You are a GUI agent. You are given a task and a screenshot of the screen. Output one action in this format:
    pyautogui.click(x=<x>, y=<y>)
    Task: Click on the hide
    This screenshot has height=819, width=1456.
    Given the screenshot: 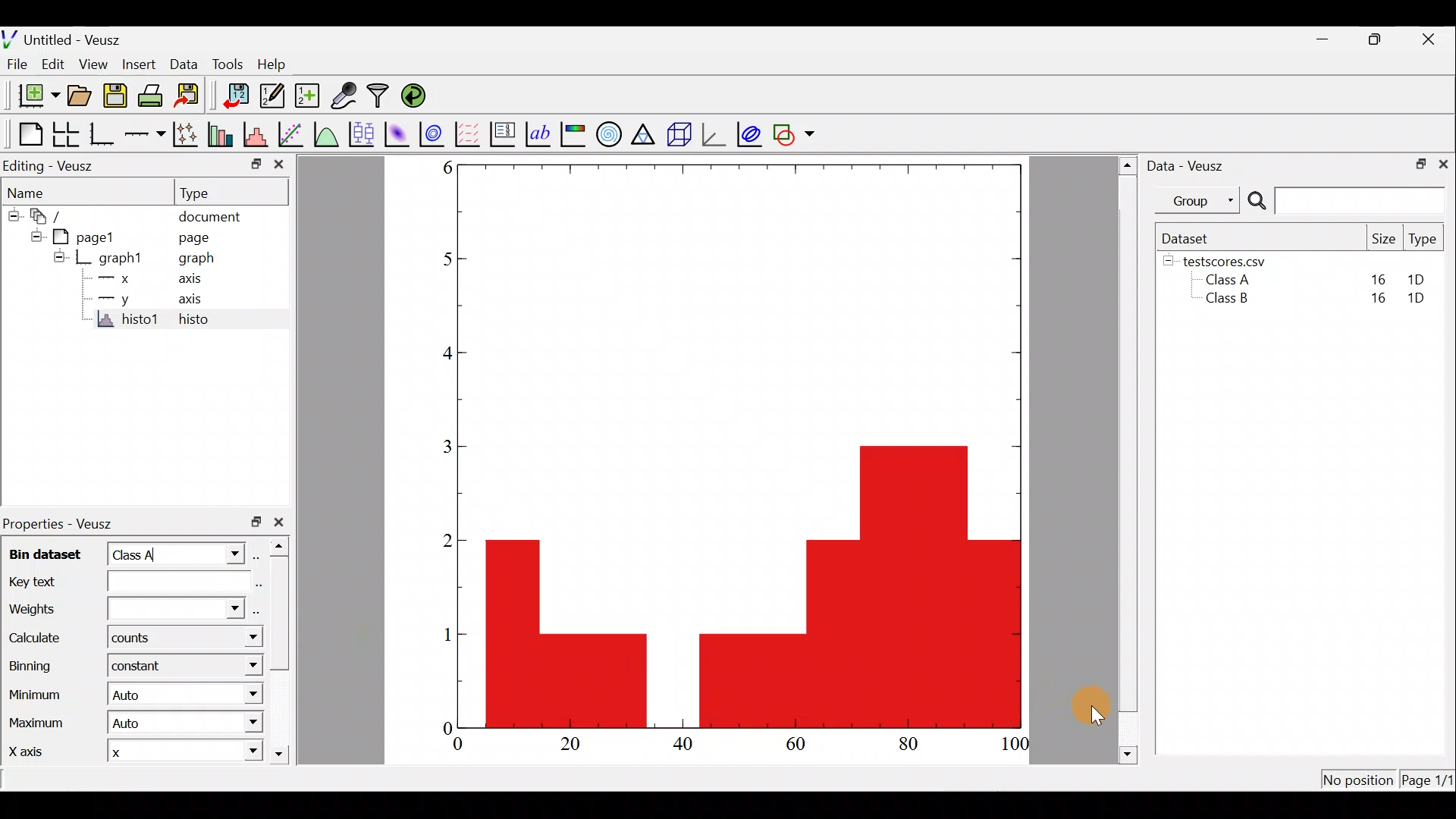 What is the action you would take?
    pyautogui.click(x=58, y=257)
    